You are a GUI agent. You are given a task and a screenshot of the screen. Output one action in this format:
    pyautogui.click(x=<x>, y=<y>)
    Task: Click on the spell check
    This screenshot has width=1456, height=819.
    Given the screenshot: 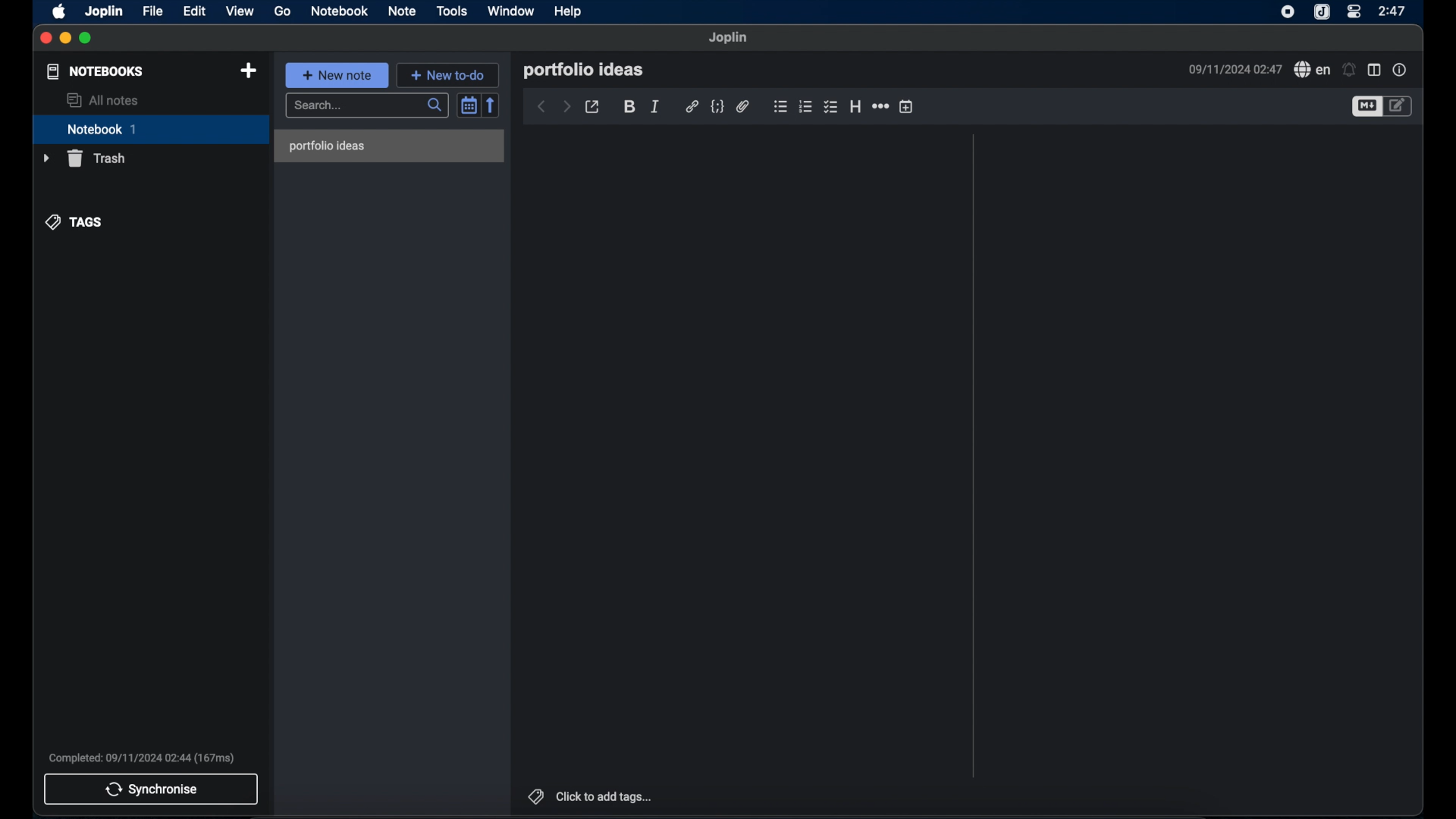 What is the action you would take?
    pyautogui.click(x=1311, y=69)
    